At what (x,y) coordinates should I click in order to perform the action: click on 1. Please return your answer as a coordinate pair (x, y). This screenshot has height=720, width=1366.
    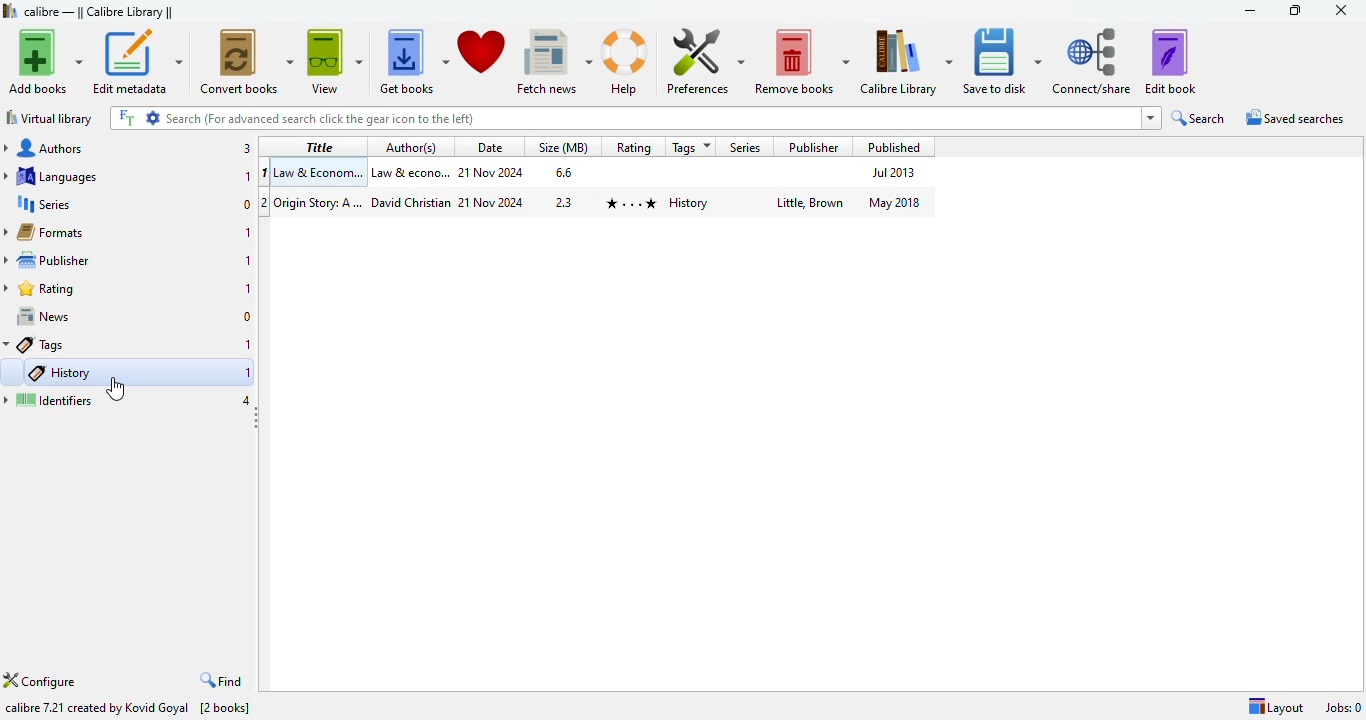
    Looking at the image, I should click on (249, 375).